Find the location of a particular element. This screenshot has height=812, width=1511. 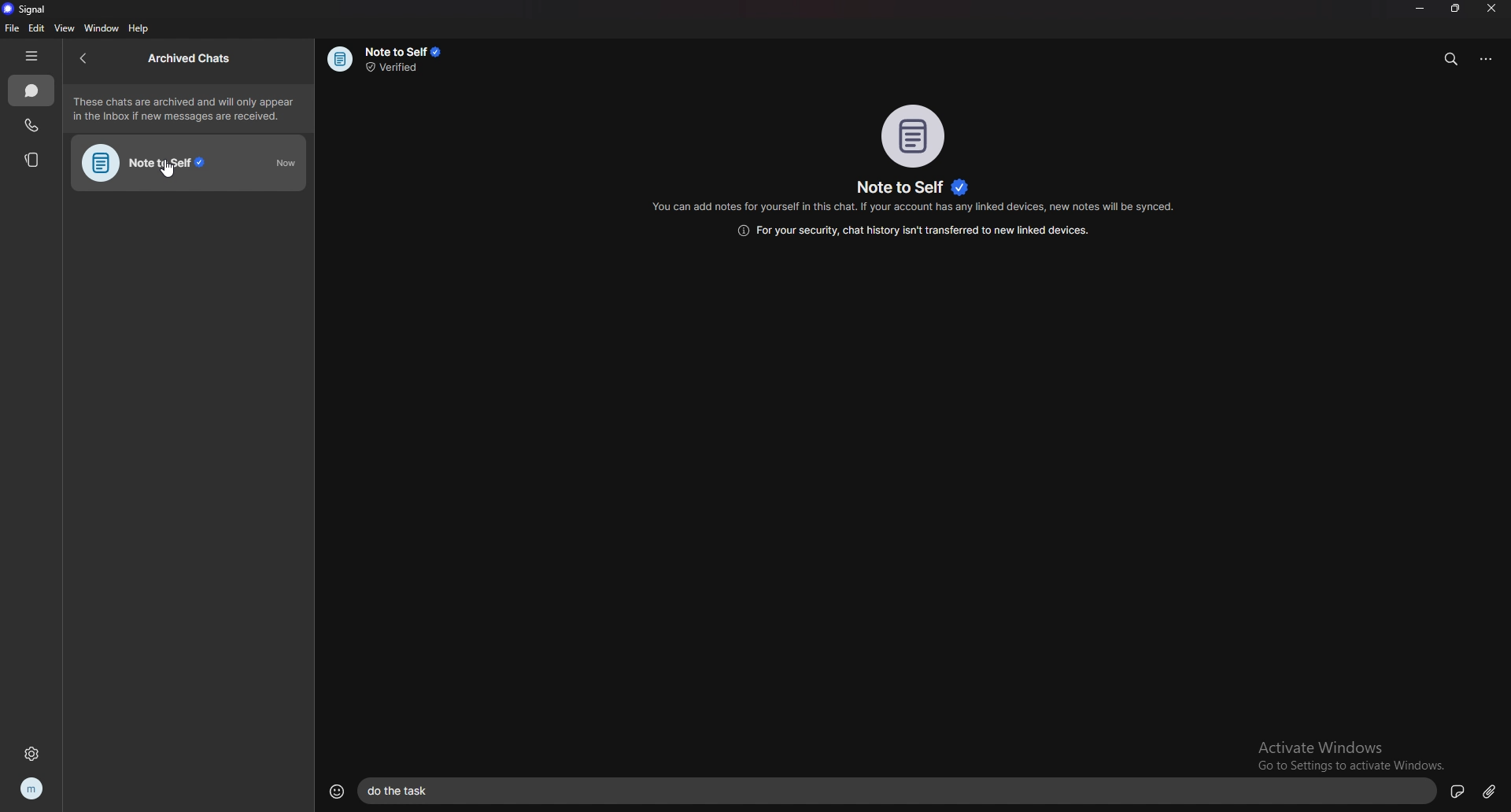

help is located at coordinates (140, 28).